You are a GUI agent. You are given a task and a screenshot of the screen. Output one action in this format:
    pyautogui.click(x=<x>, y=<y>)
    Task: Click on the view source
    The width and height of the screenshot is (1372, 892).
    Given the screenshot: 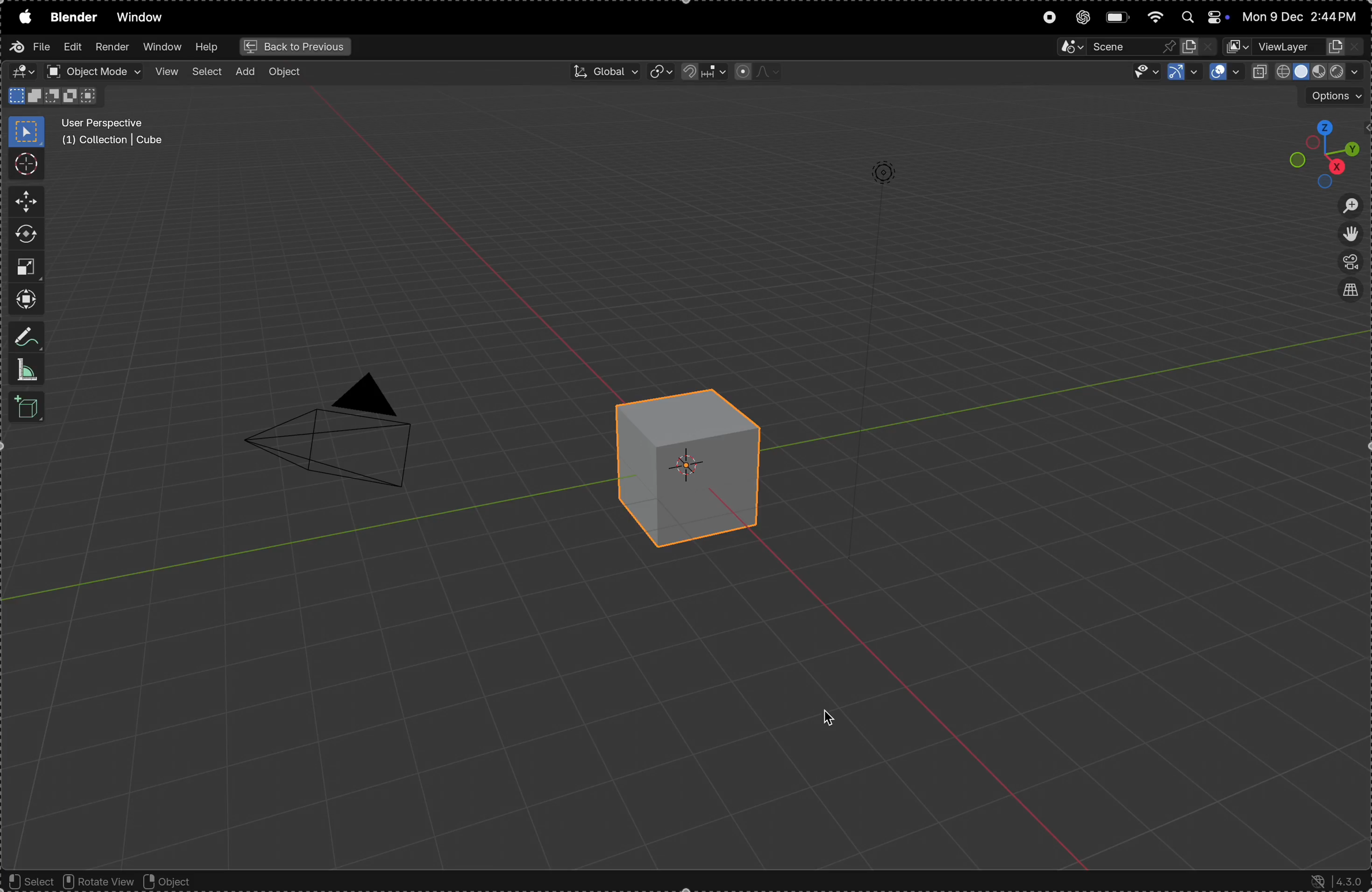 What is the action you would take?
    pyautogui.click(x=1352, y=292)
    